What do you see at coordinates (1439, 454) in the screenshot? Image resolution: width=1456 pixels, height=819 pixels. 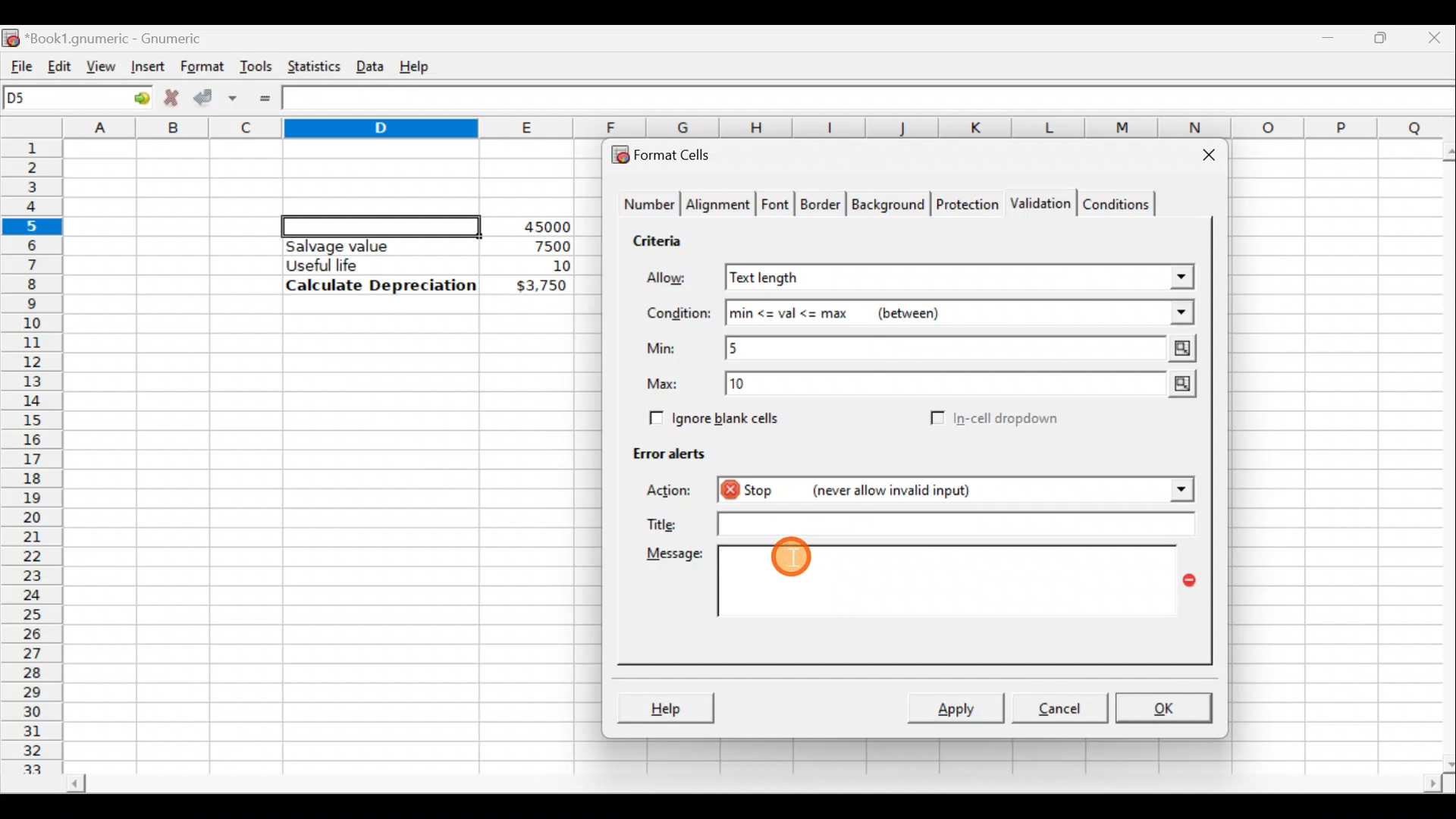 I see `Scroll bar` at bounding box center [1439, 454].